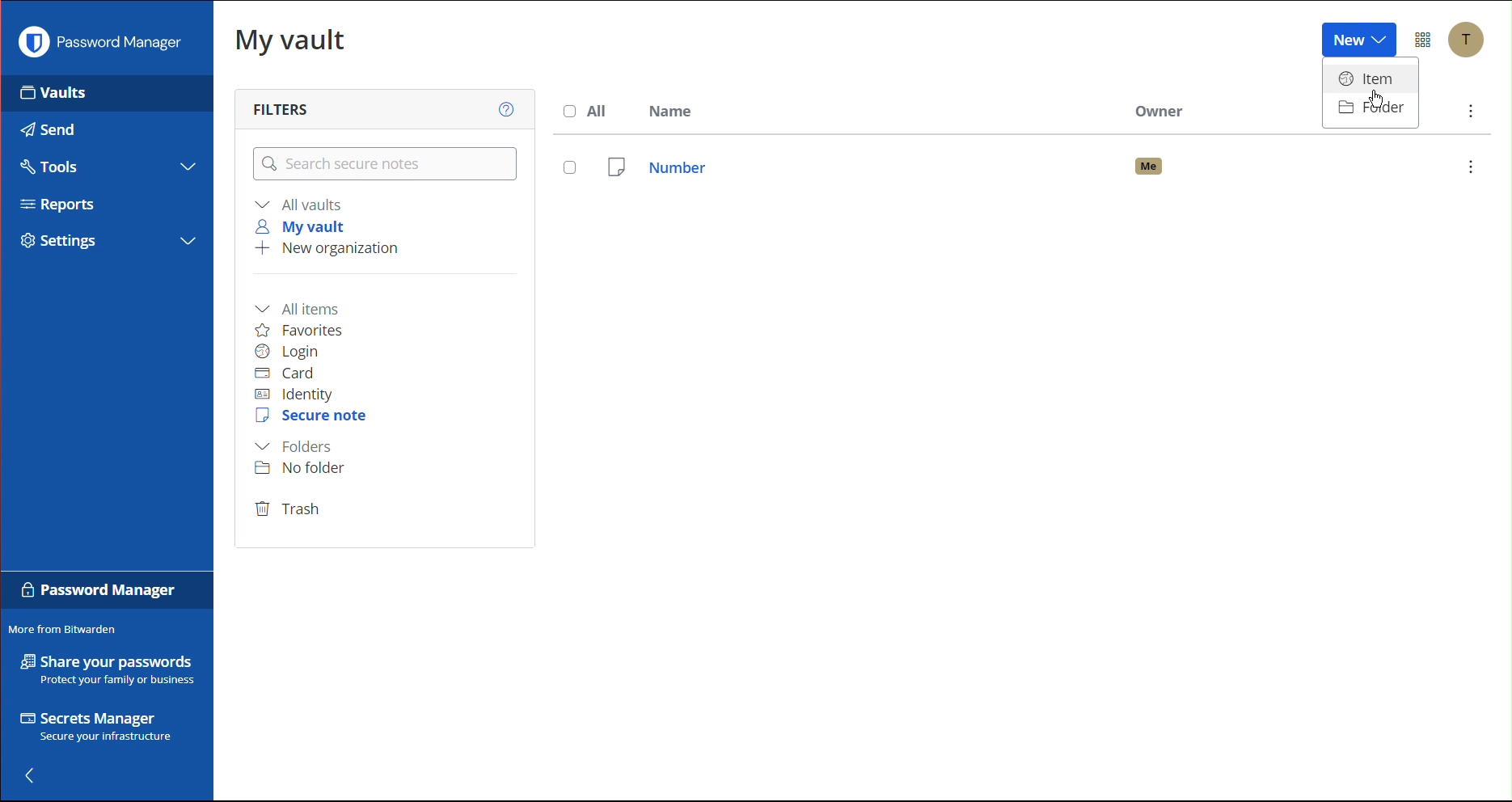 The image size is (1512, 802). Describe the element at coordinates (62, 628) in the screenshot. I see `More from Bitwarden` at that location.